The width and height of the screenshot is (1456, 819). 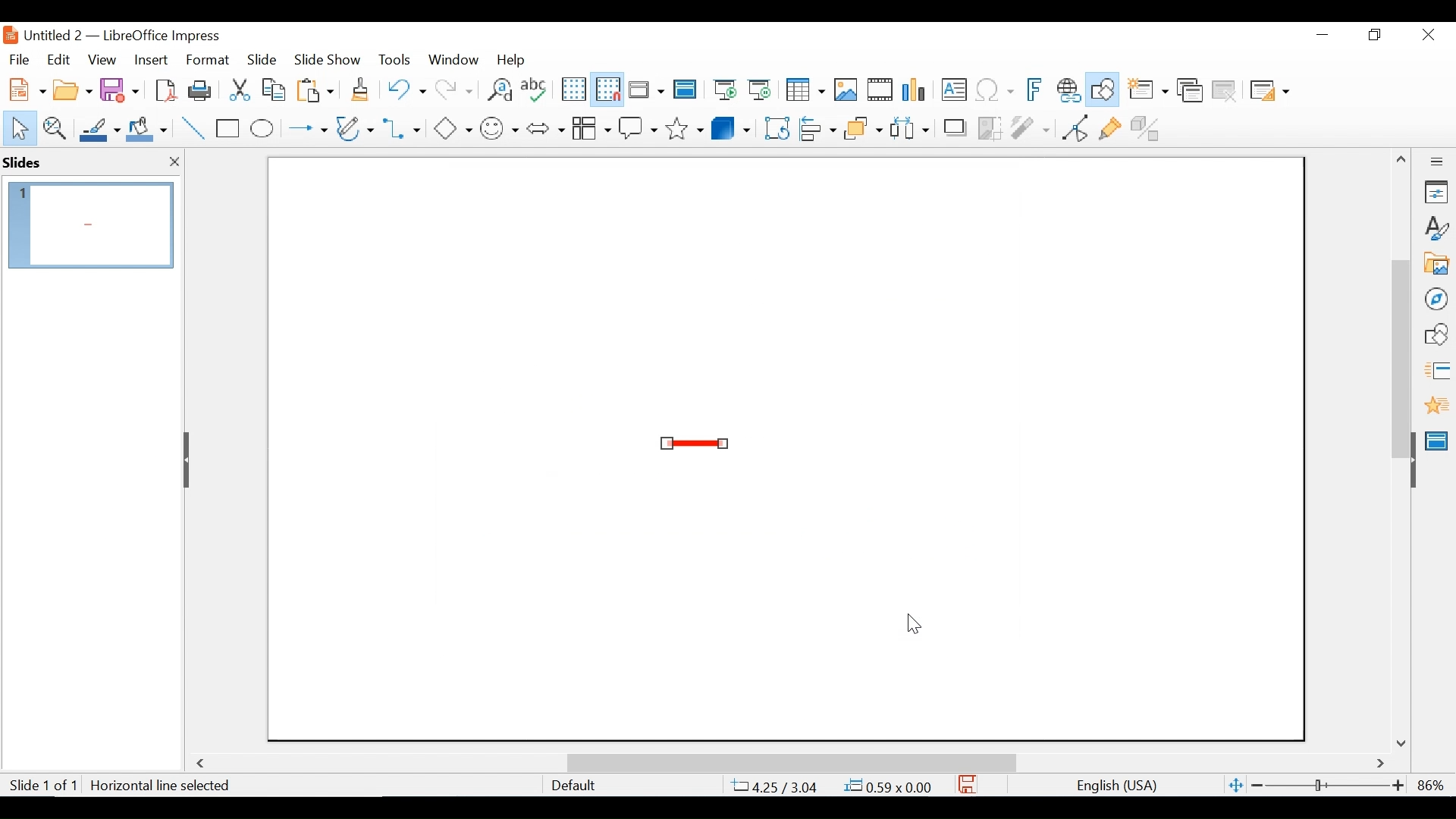 I want to click on Insert Special Characters, so click(x=995, y=91).